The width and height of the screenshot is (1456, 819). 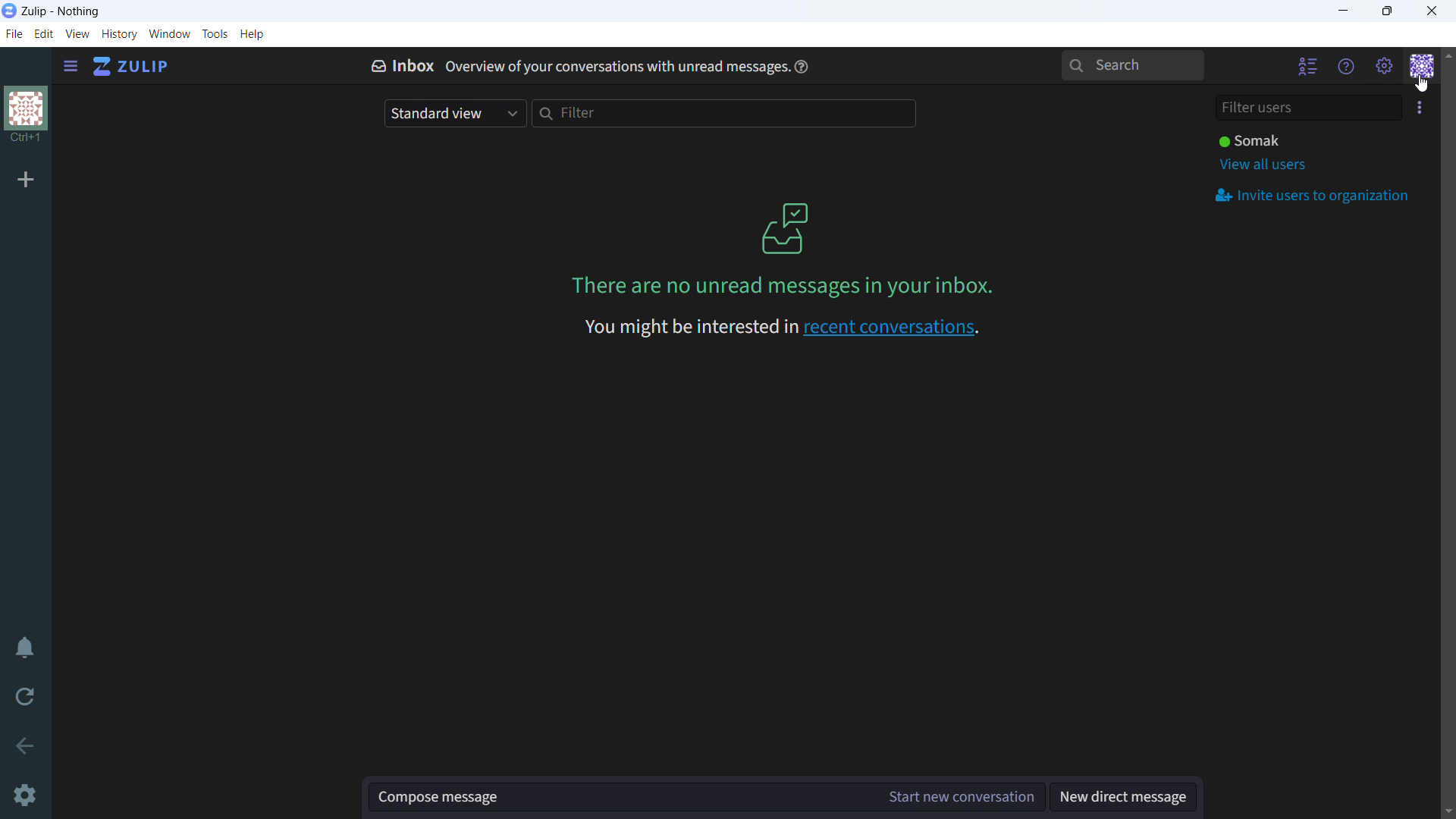 I want to click on history, so click(x=120, y=34).